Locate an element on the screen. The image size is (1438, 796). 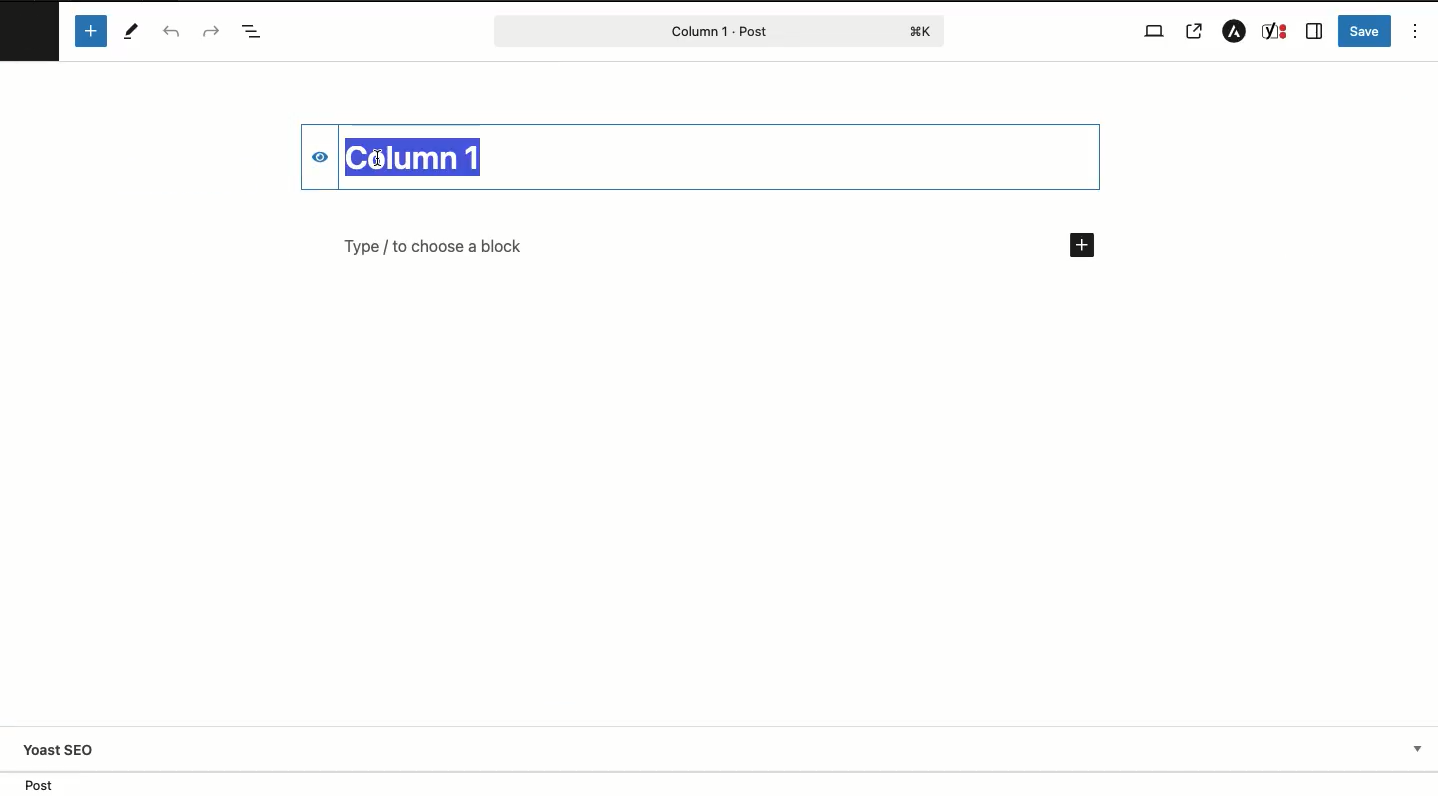
Wordpress logo is located at coordinates (30, 26).